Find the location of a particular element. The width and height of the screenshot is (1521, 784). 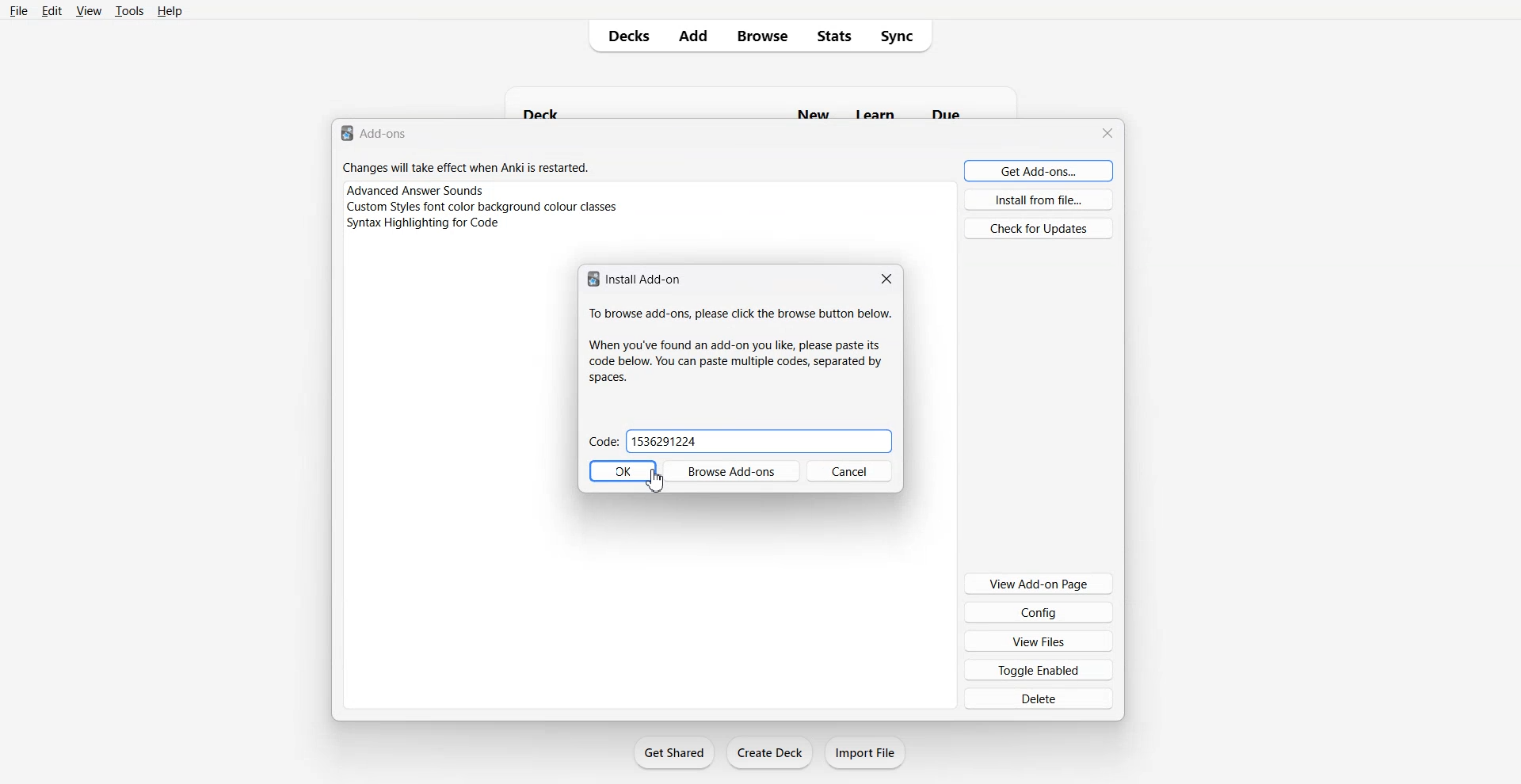

Cancel is located at coordinates (850, 470).